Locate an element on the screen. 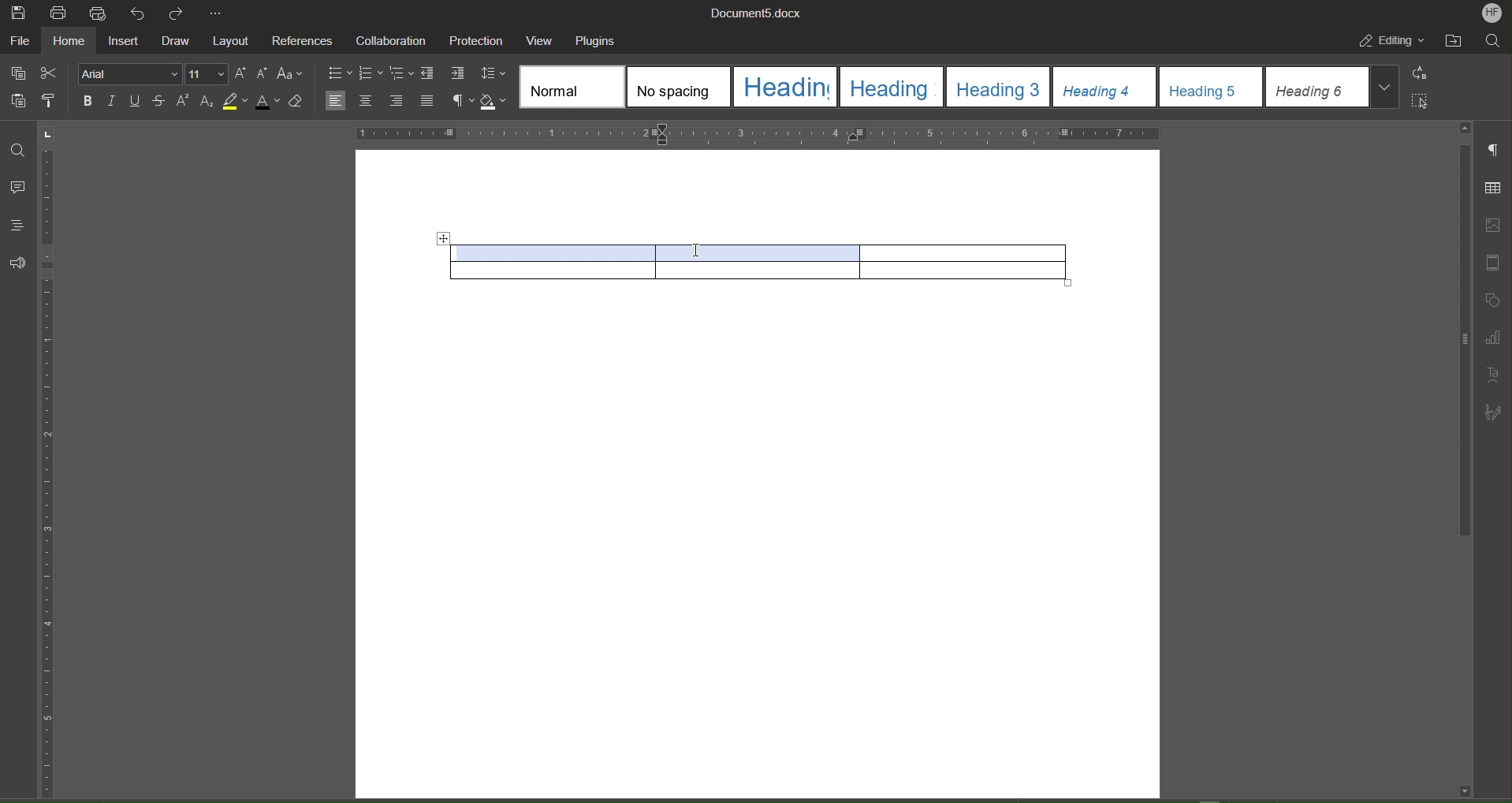 The height and width of the screenshot is (803, 1512). Home is located at coordinates (73, 43).